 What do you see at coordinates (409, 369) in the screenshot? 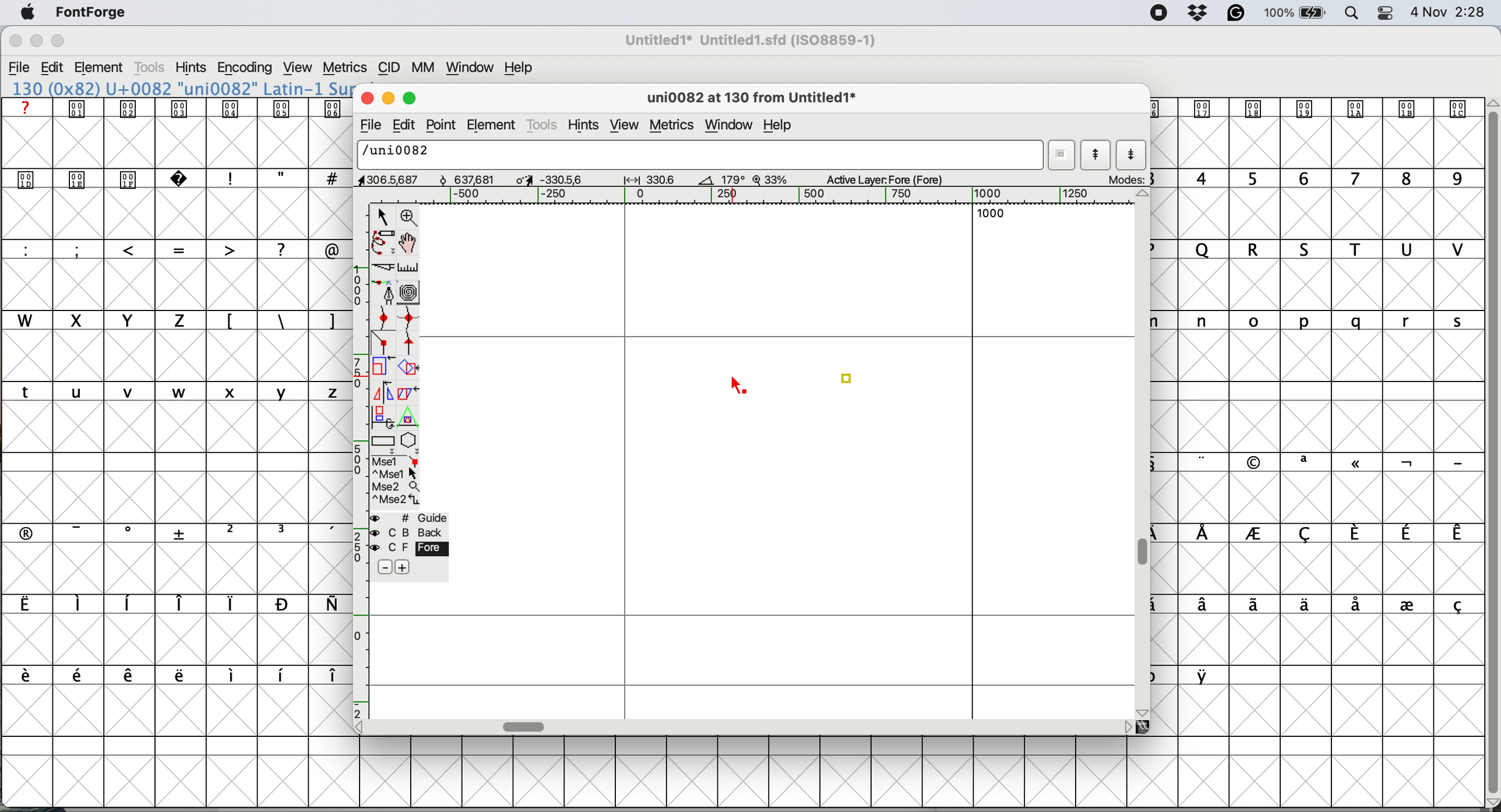
I see `rotate the selection` at bounding box center [409, 369].